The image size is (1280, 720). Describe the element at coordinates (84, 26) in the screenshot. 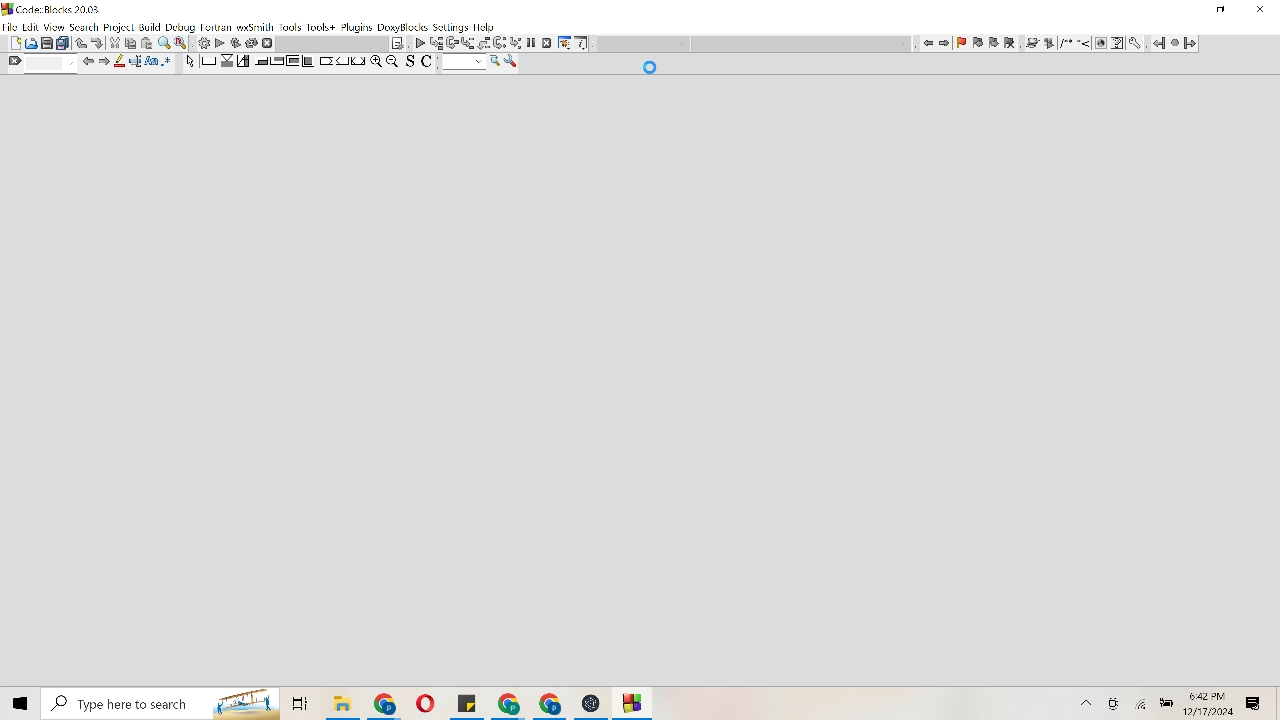

I see `Search` at that location.